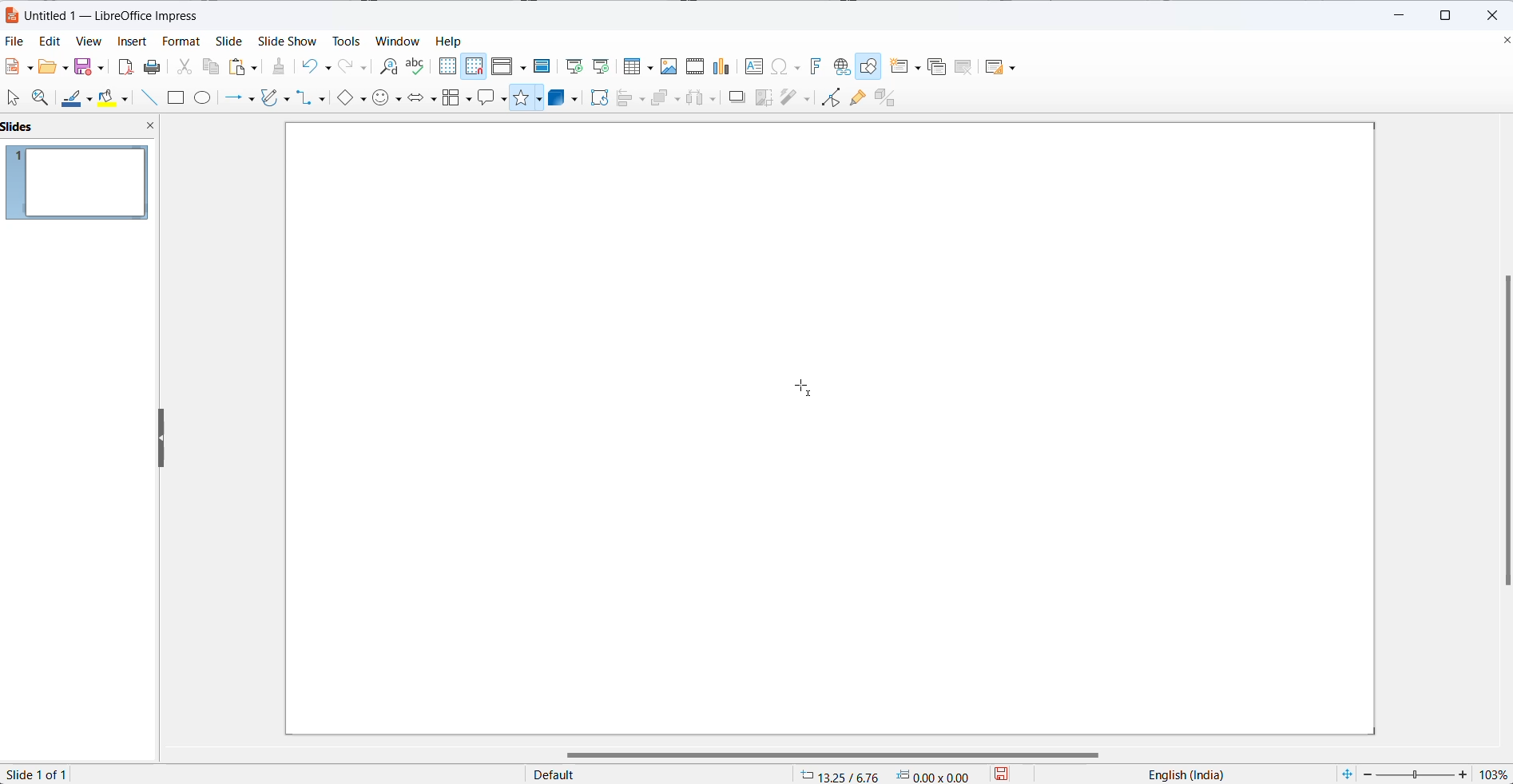 The image size is (1513, 784). Describe the element at coordinates (1347, 774) in the screenshot. I see `fit slide to current window` at that location.